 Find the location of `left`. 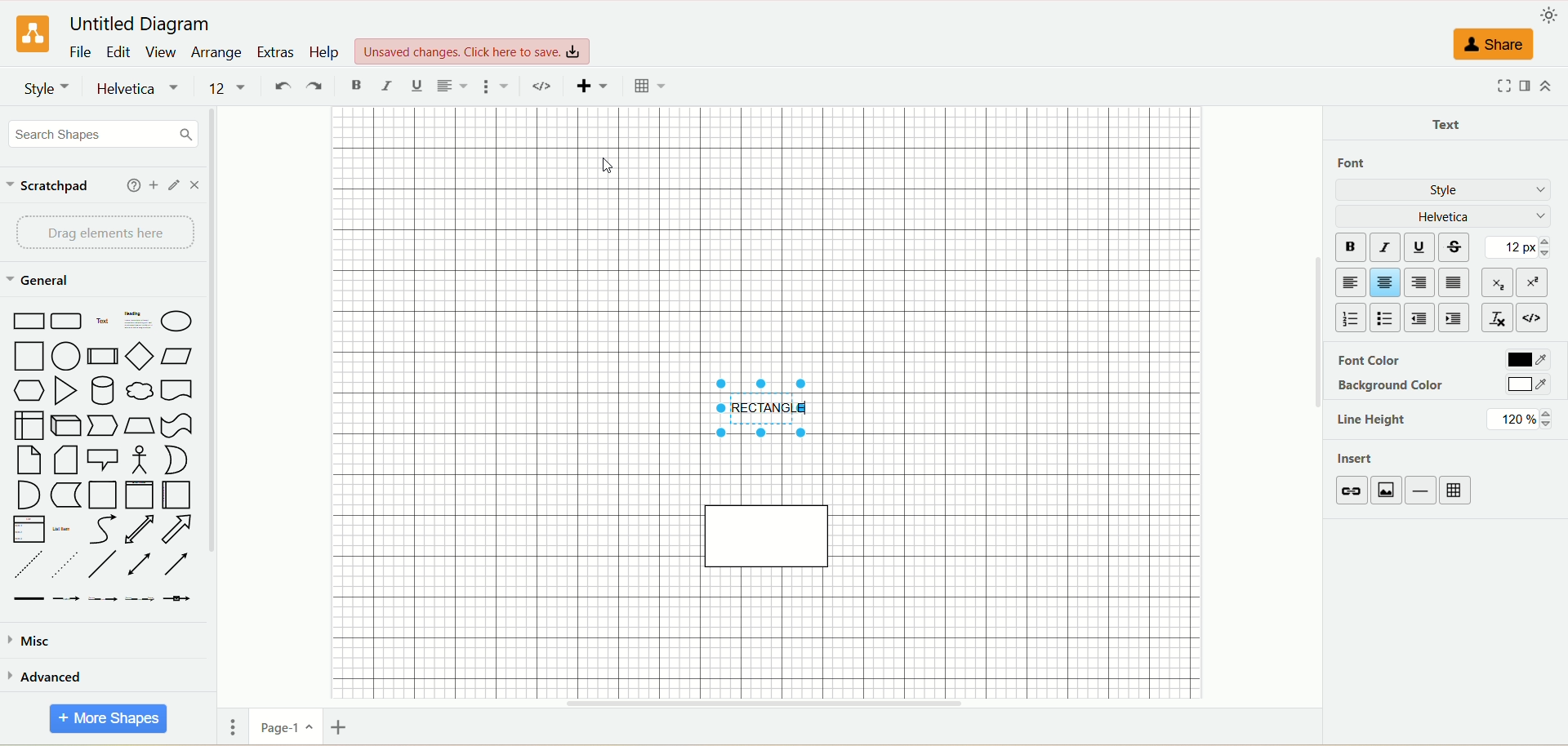

left is located at coordinates (1350, 283).